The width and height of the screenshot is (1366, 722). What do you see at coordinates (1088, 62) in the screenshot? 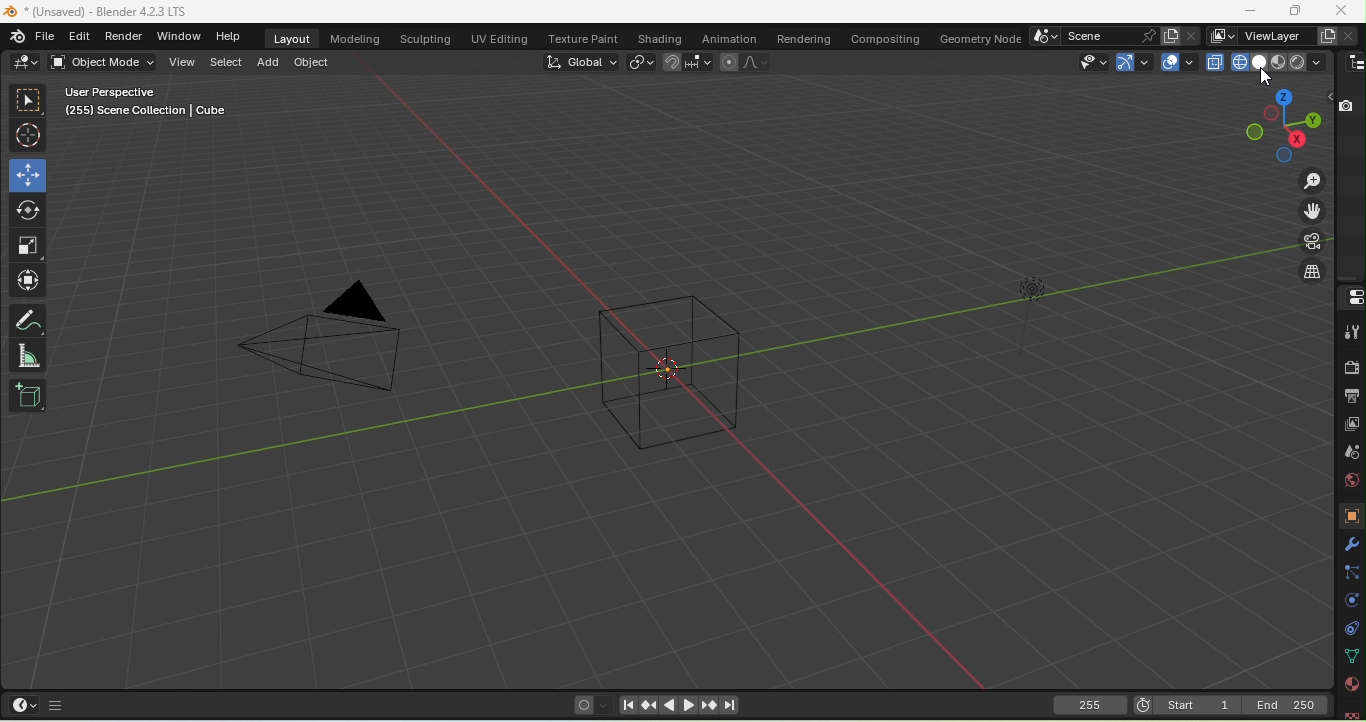
I see `Selectability and visibility` at bounding box center [1088, 62].